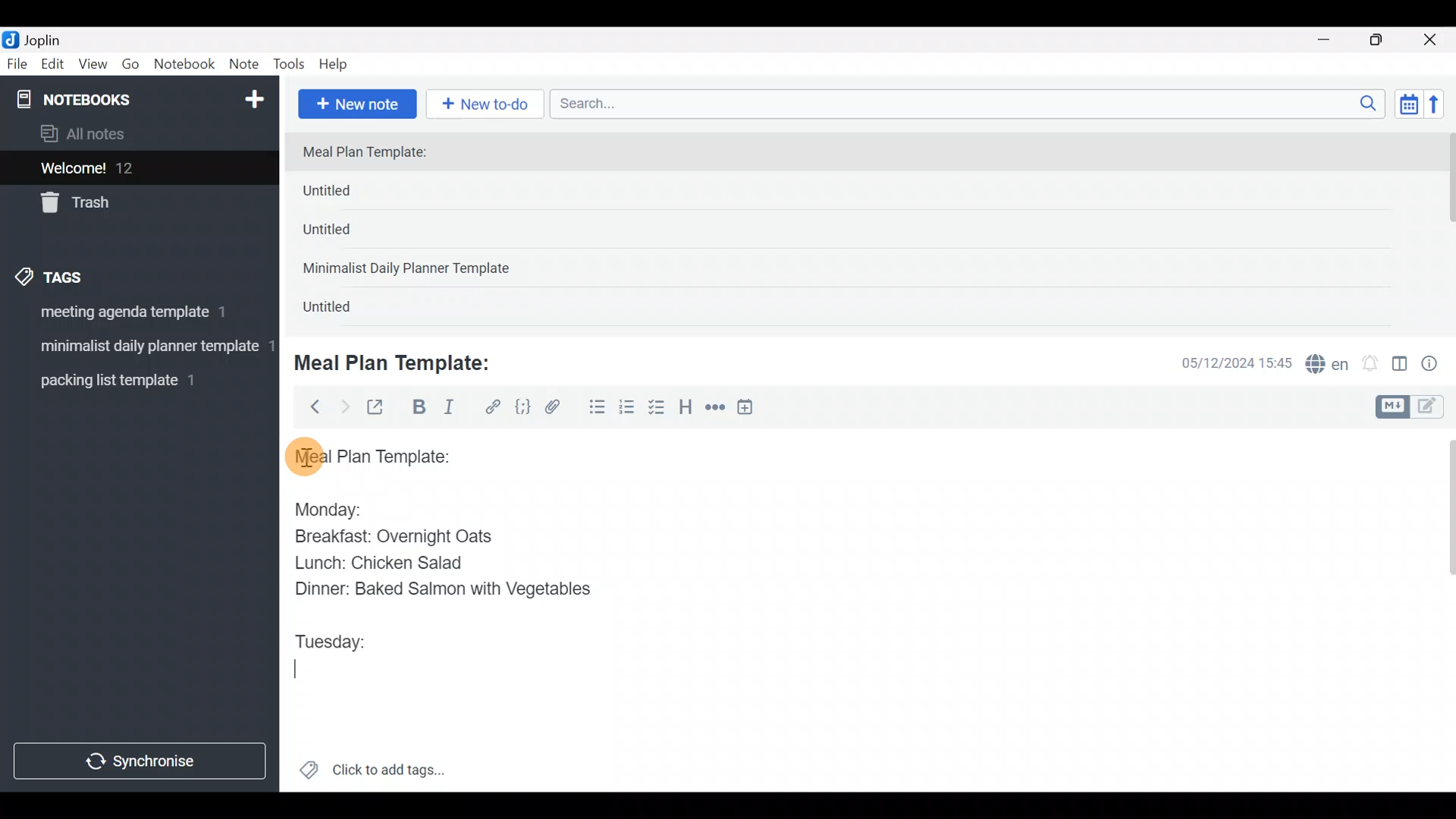 This screenshot has height=819, width=1456. Describe the element at coordinates (493, 407) in the screenshot. I see `Hyperlink` at that location.